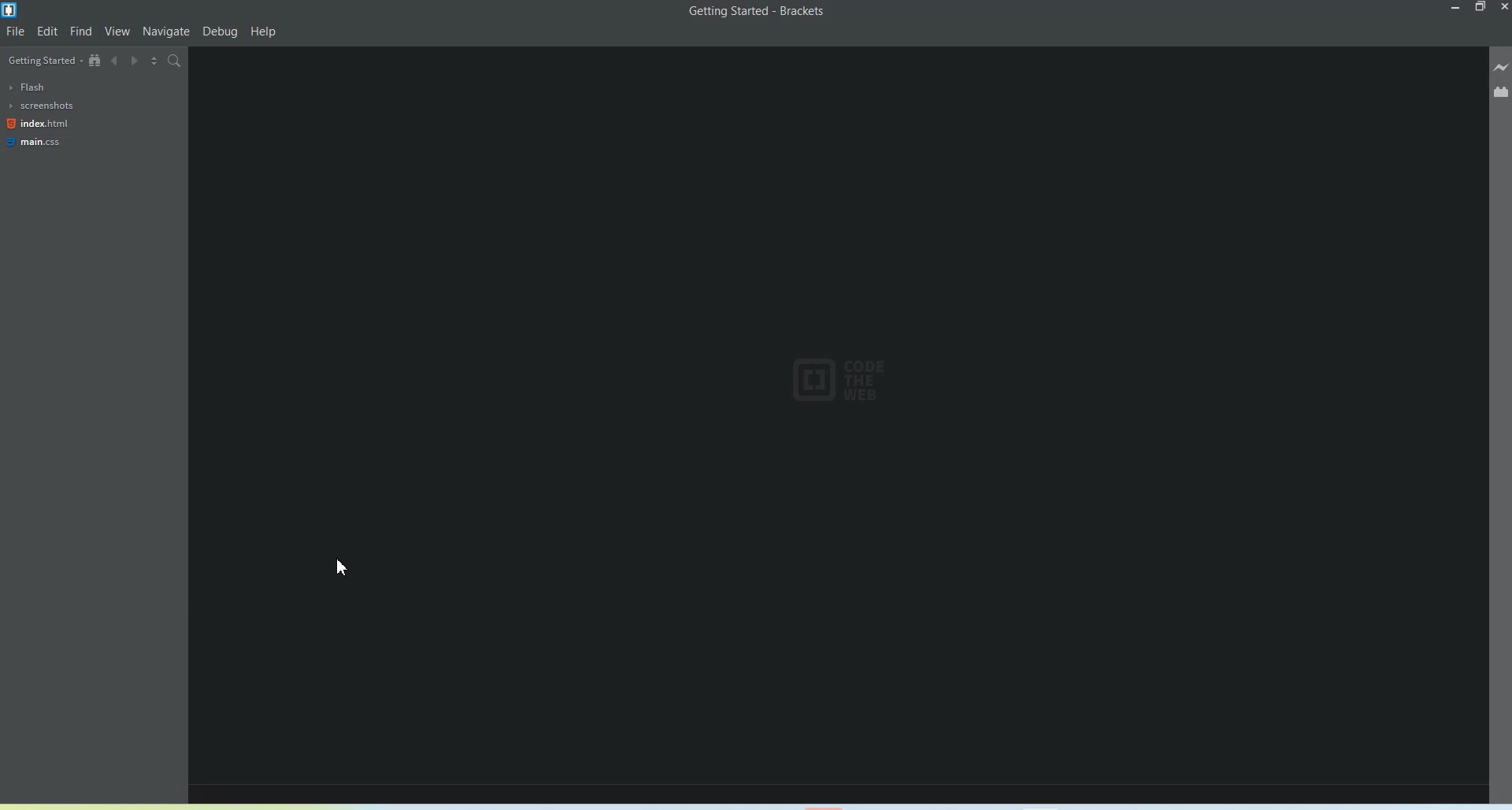 This screenshot has width=1512, height=810. Describe the element at coordinates (1481, 7) in the screenshot. I see `Maximize` at that location.